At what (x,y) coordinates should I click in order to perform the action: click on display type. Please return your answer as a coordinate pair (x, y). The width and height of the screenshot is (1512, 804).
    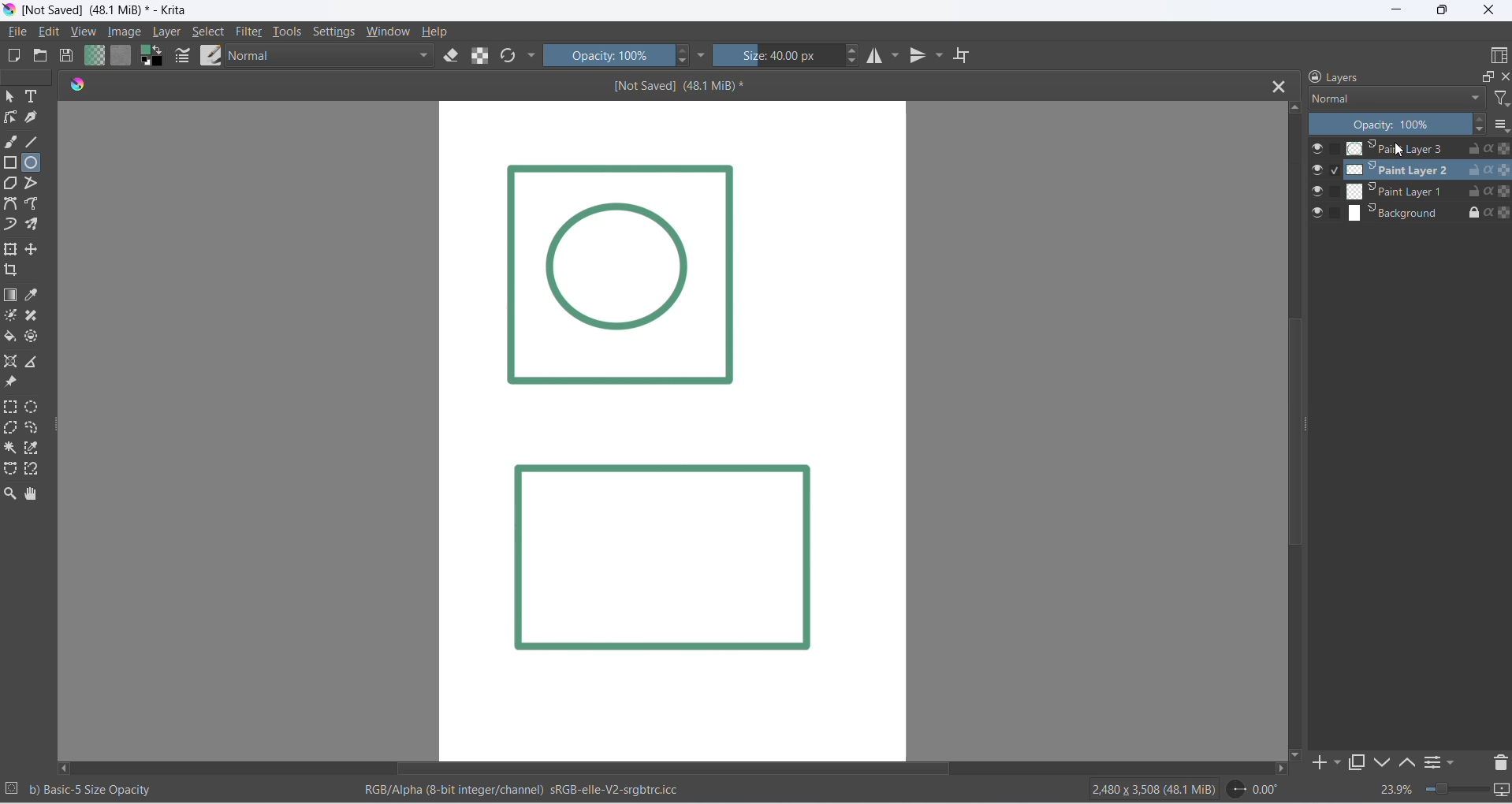
    Looking at the image, I should click on (1496, 54).